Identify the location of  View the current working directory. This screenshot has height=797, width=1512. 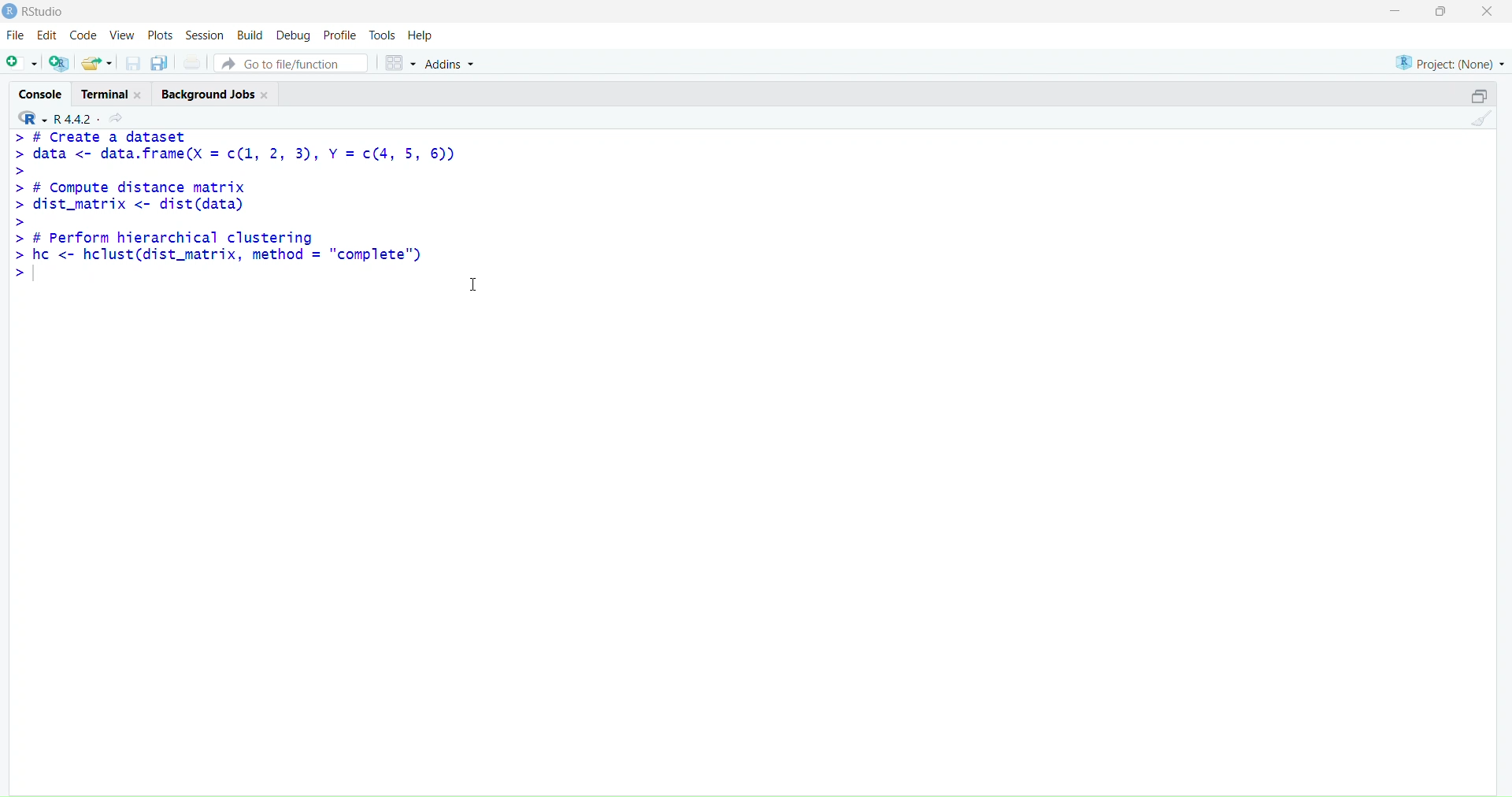
(120, 117).